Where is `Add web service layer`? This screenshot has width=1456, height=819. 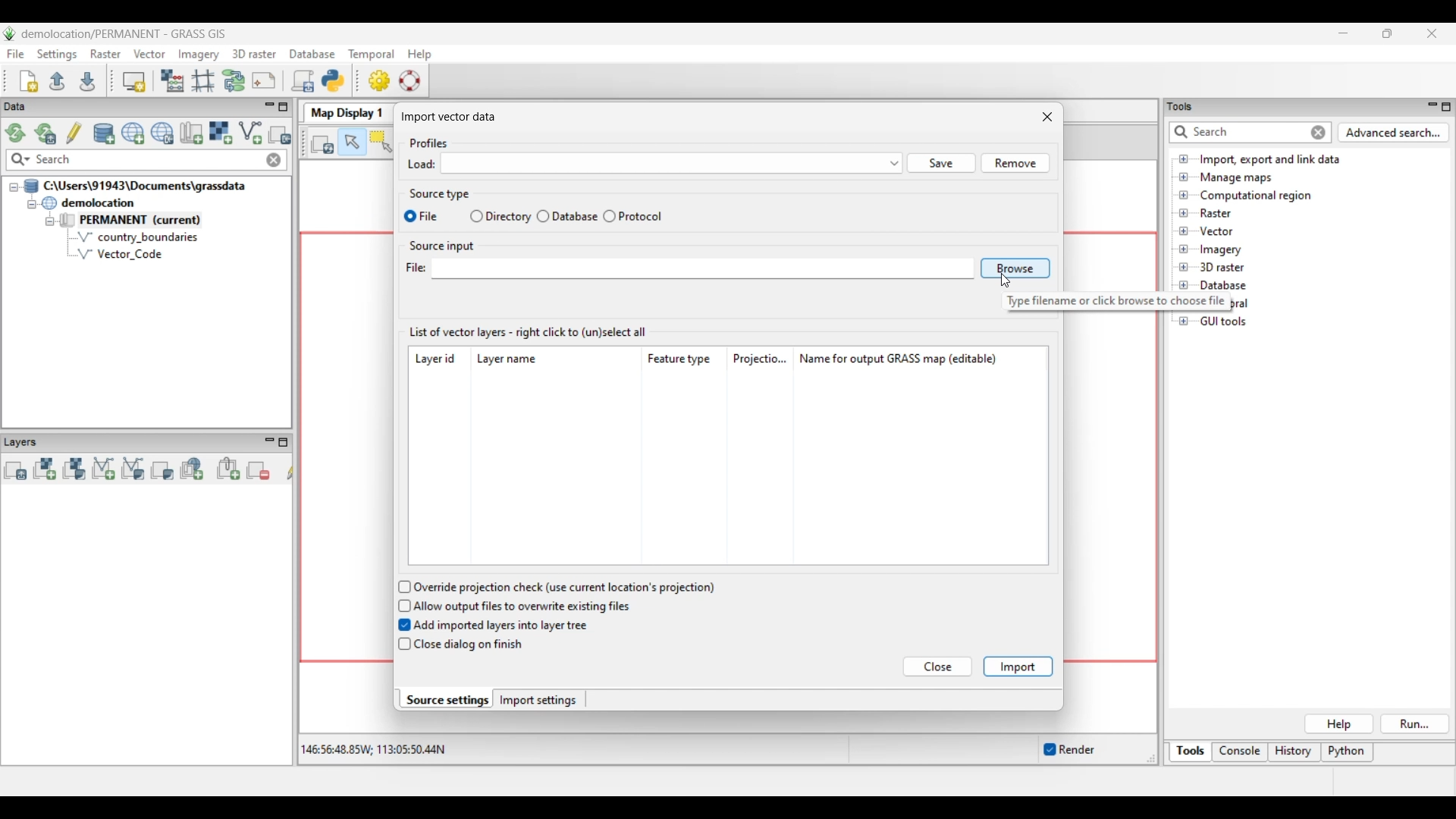 Add web service layer is located at coordinates (192, 469).